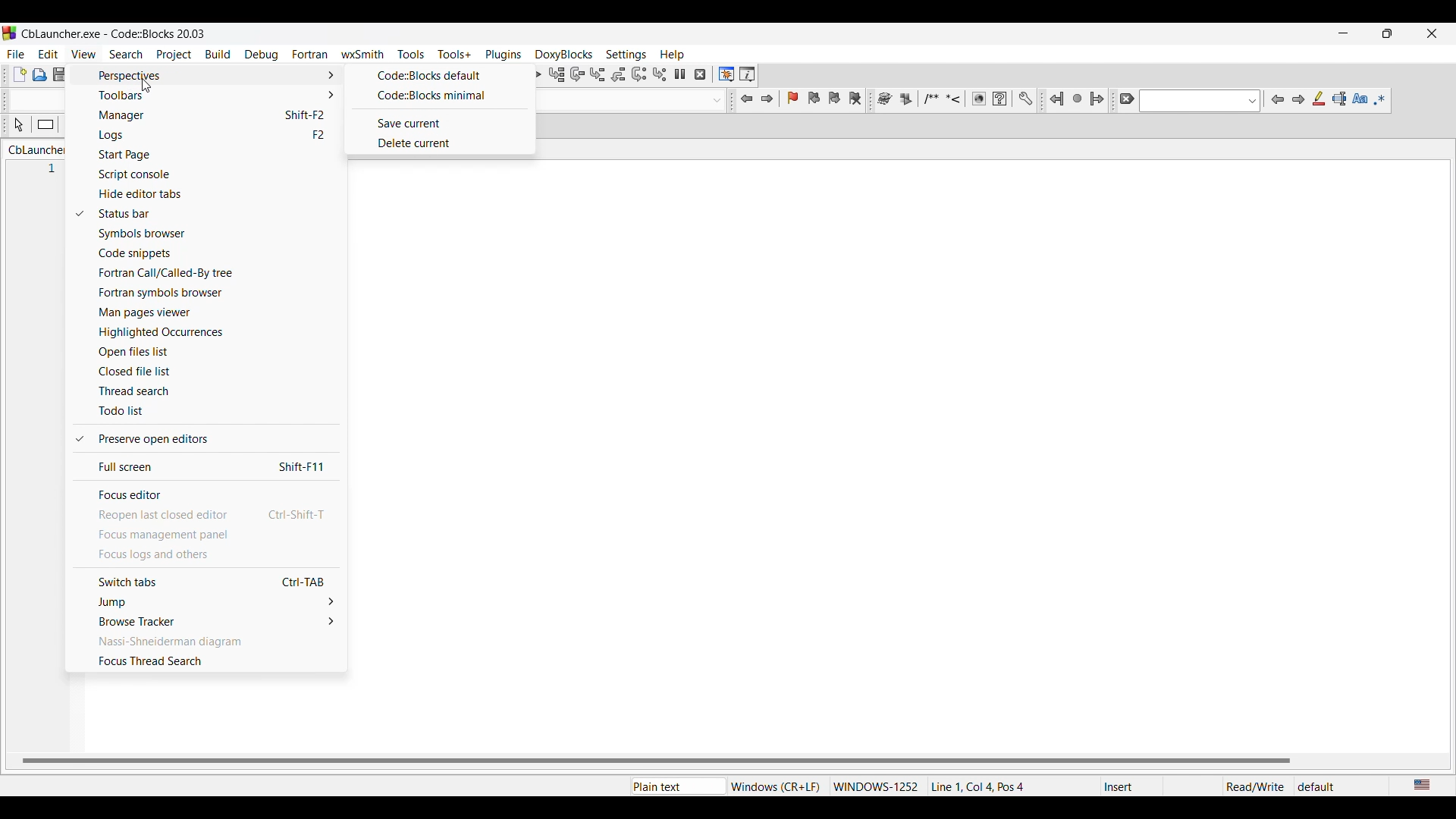 This screenshot has height=819, width=1456. What do you see at coordinates (16, 54) in the screenshot?
I see `File menu` at bounding box center [16, 54].